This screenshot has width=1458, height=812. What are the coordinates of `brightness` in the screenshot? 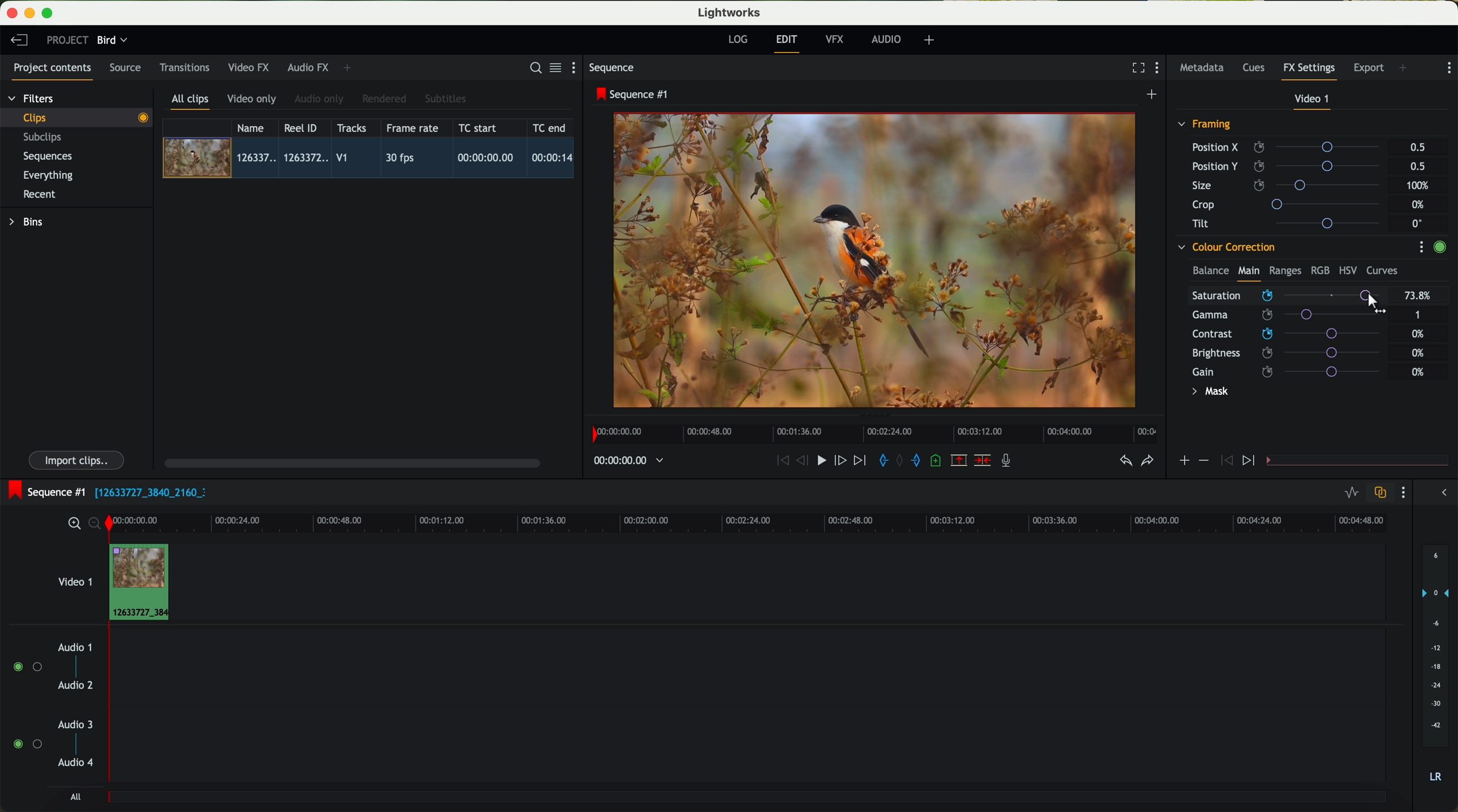 It's located at (1293, 353).